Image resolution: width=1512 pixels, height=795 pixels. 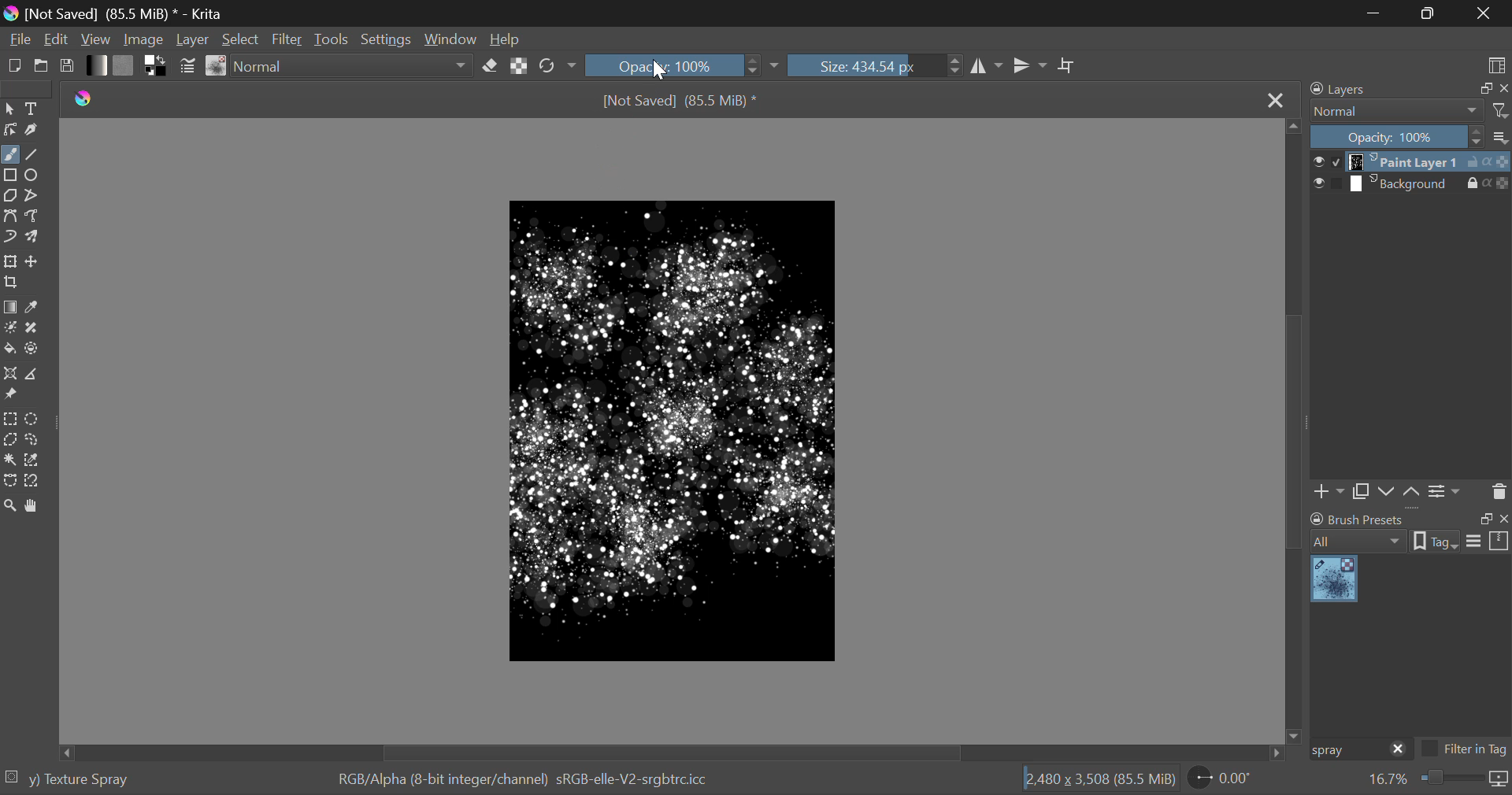 I want to click on Settings, so click(x=1447, y=492).